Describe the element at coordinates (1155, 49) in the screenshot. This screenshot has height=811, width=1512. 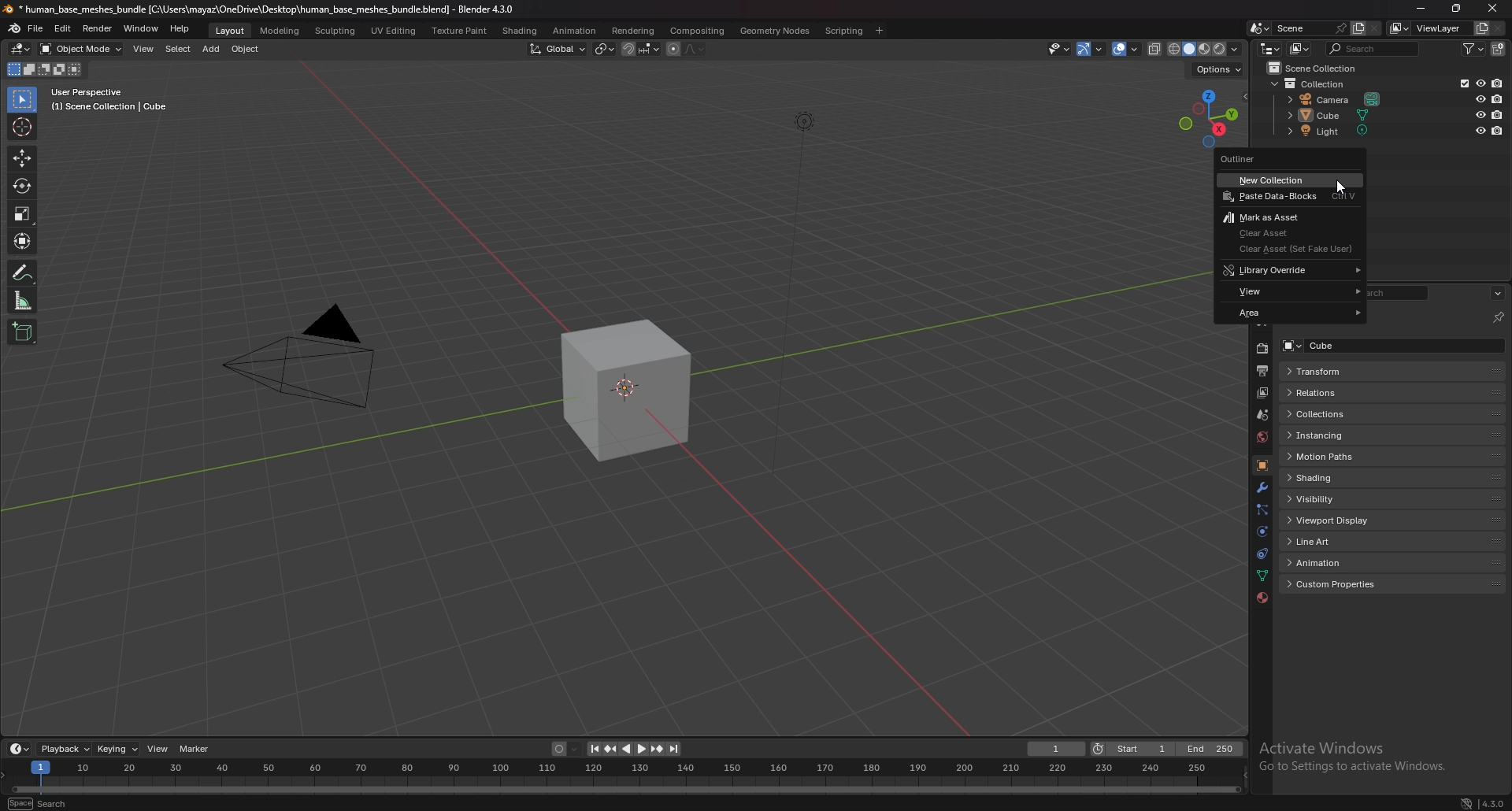
I see `toggle xray` at that location.